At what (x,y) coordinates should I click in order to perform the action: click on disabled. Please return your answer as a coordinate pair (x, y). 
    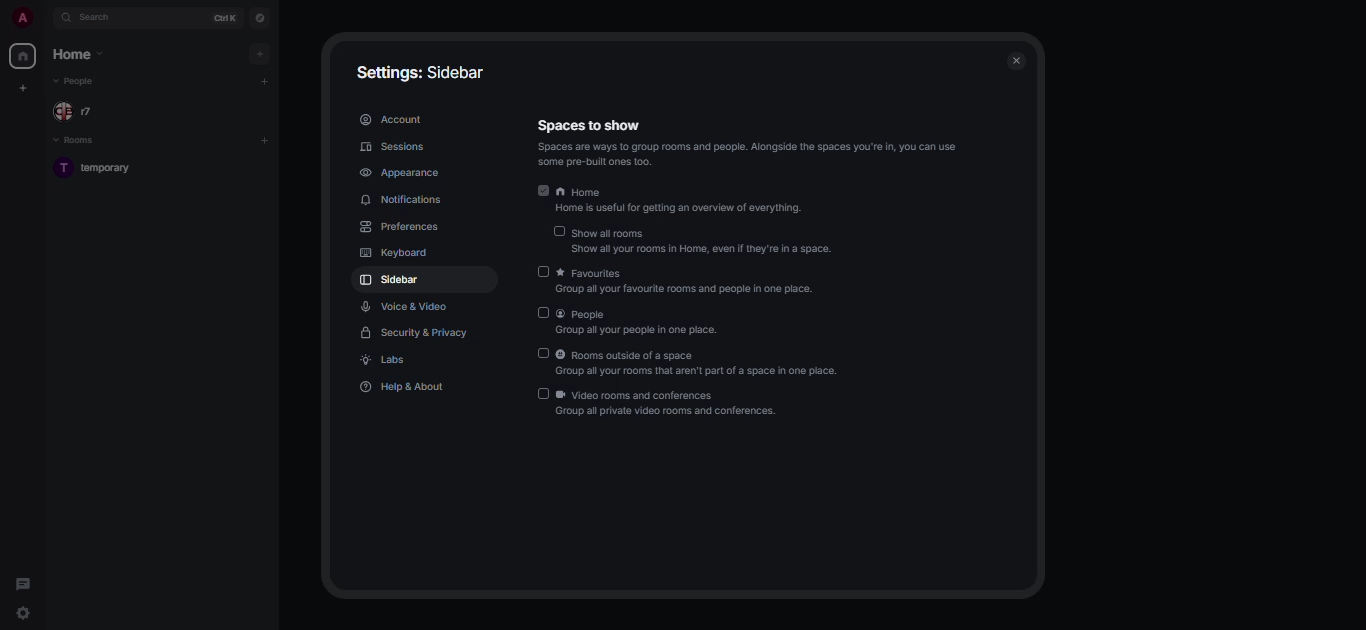
    Looking at the image, I should click on (544, 353).